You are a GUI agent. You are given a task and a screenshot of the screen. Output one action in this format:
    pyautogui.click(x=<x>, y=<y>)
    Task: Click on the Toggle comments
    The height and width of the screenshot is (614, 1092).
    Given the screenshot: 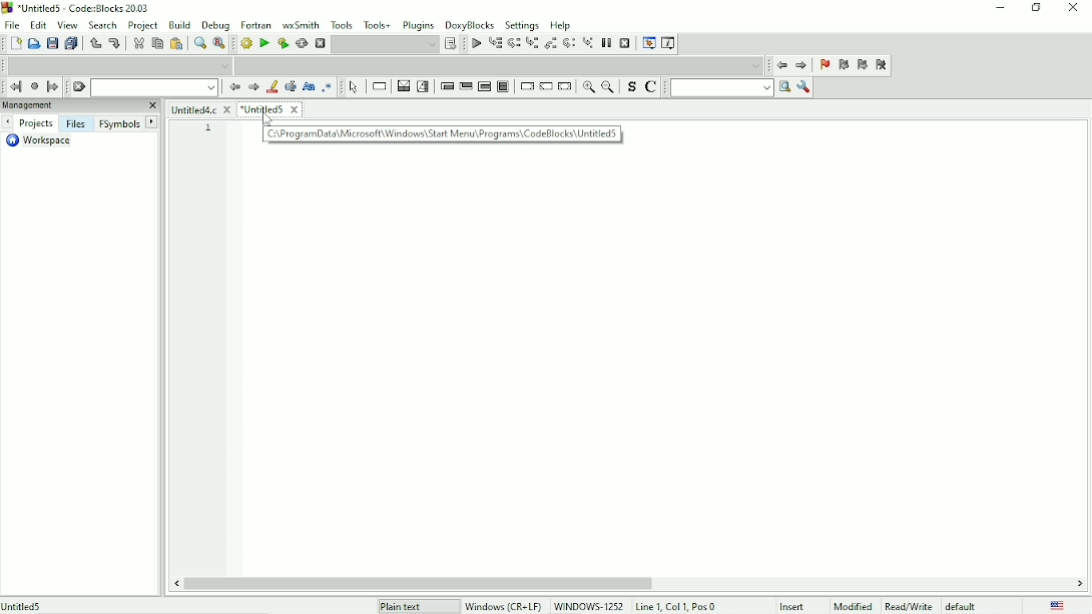 What is the action you would take?
    pyautogui.click(x=650, y=88)
    